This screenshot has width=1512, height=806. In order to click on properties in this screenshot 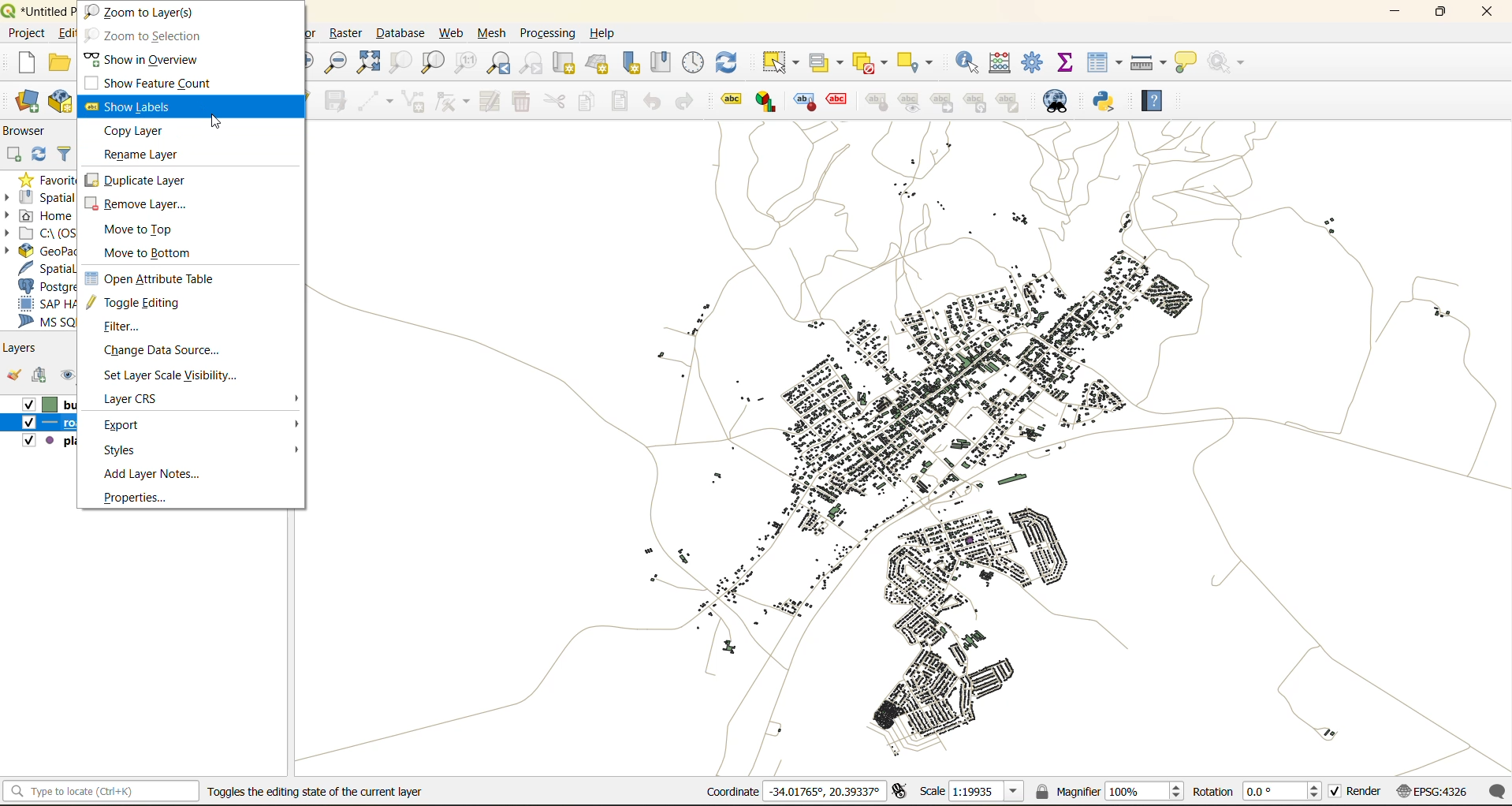, I will do `click(136, 498)`.